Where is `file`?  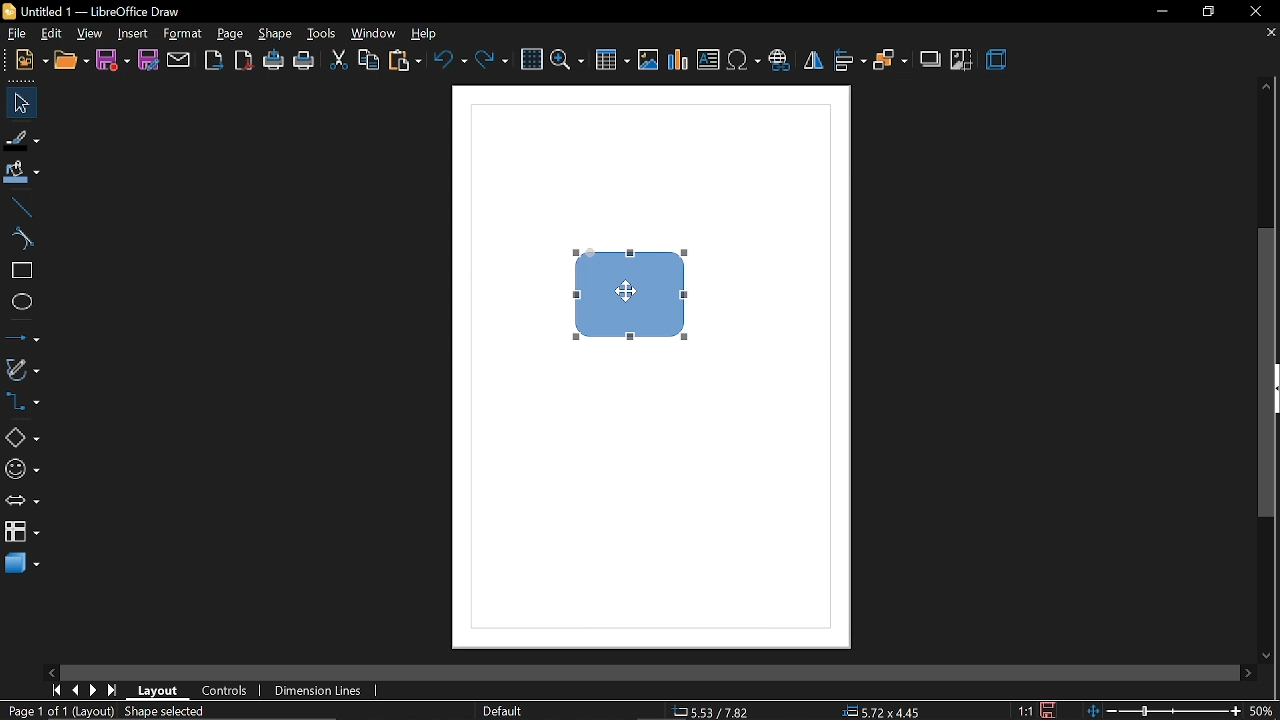 file is located at coordinates (19, 34).